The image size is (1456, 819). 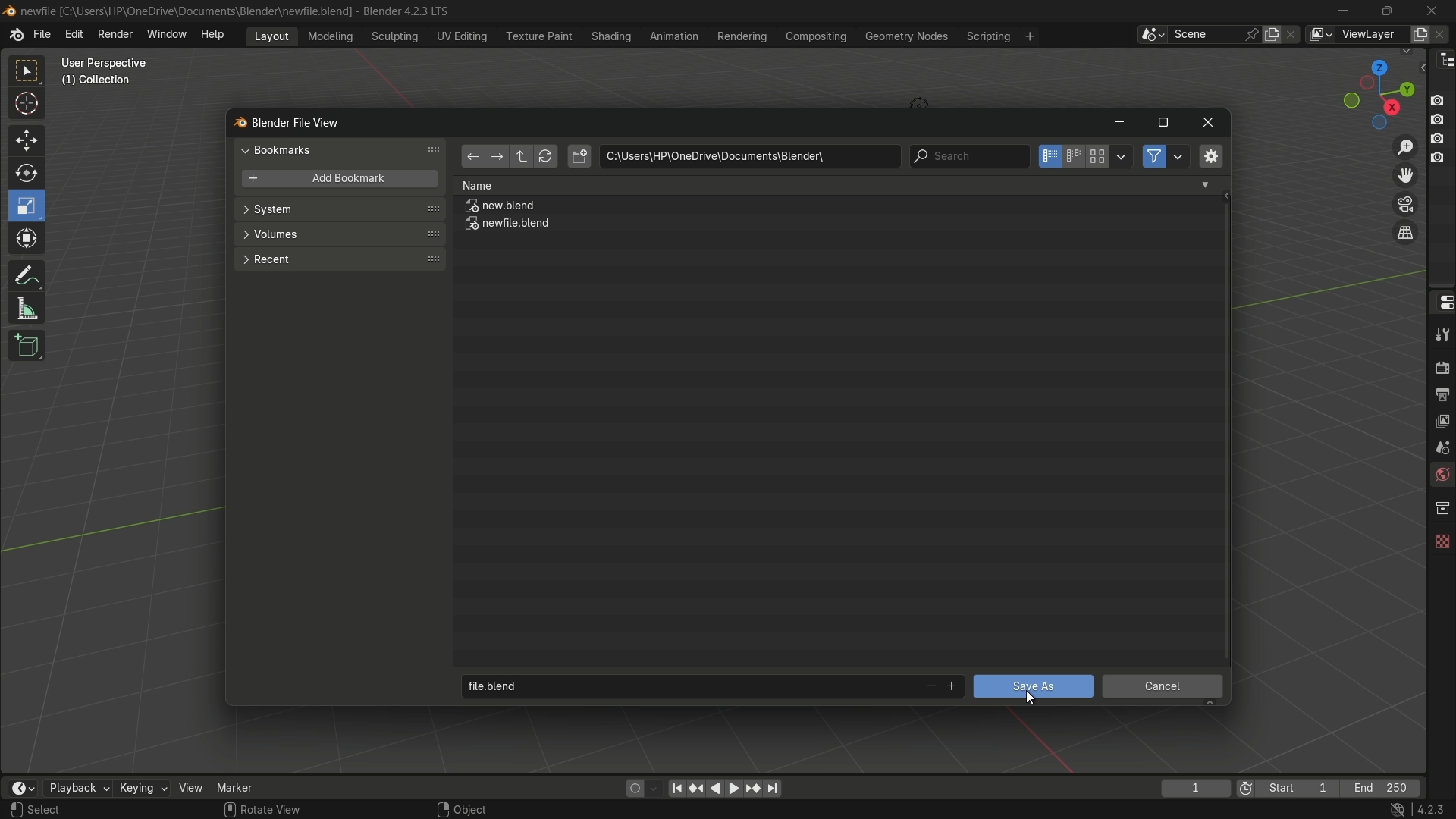 What do you see at coordinates (335, 180) in the screenshot?
I see `add bookmark` at bounding box center [335, 180].